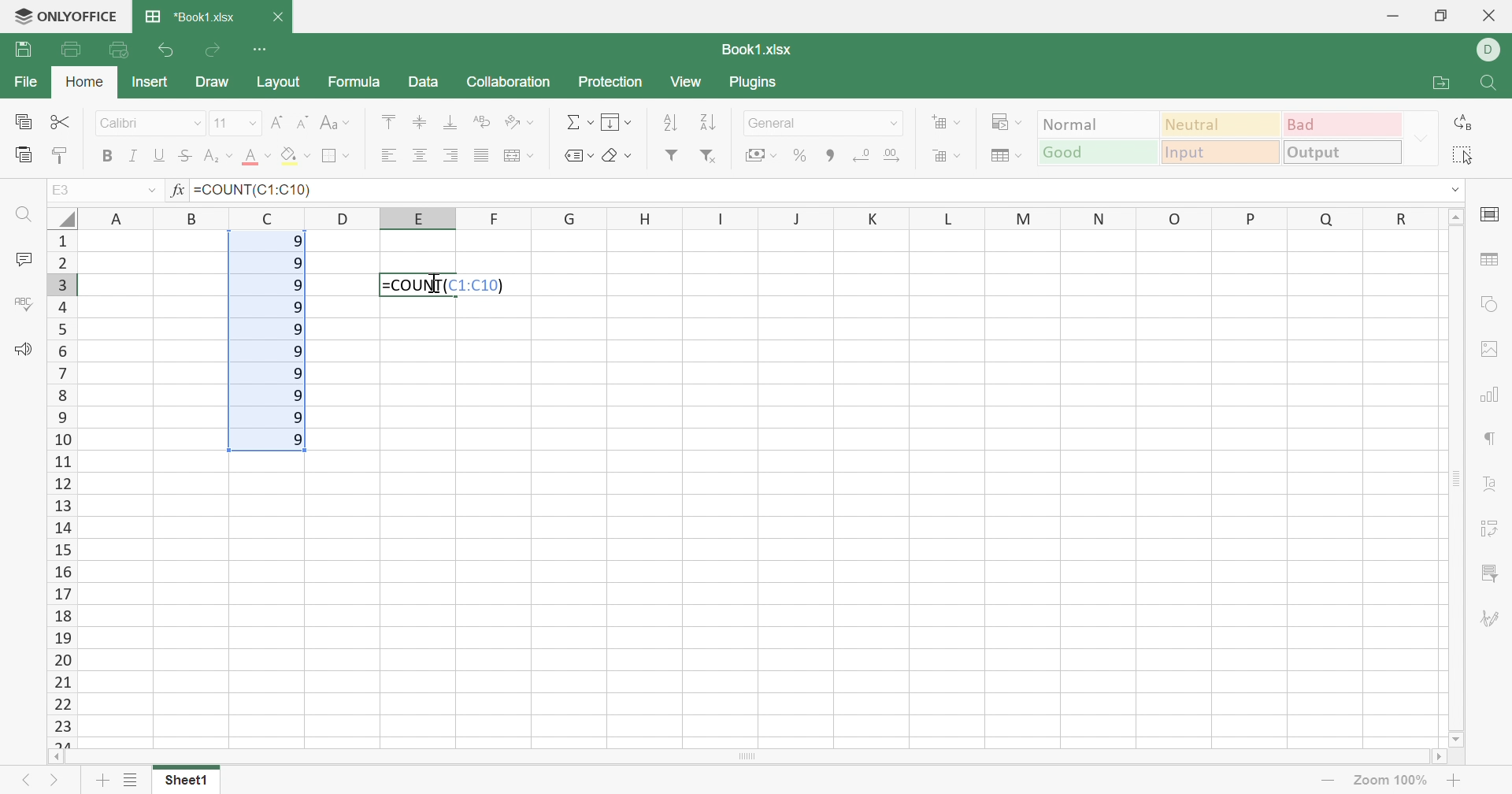 The image size is (1512, 794). I want to click on Input, so click(1218, 153).